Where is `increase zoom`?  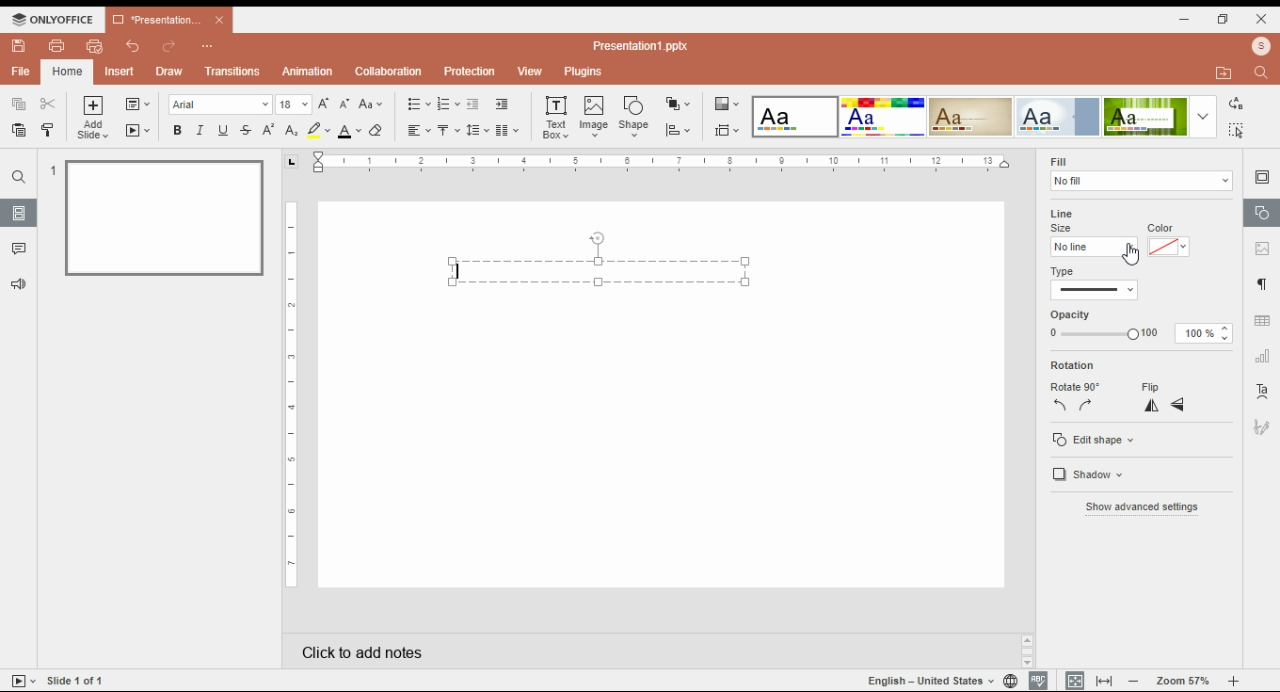 increase zoom is located at coordinates (1234, 681).